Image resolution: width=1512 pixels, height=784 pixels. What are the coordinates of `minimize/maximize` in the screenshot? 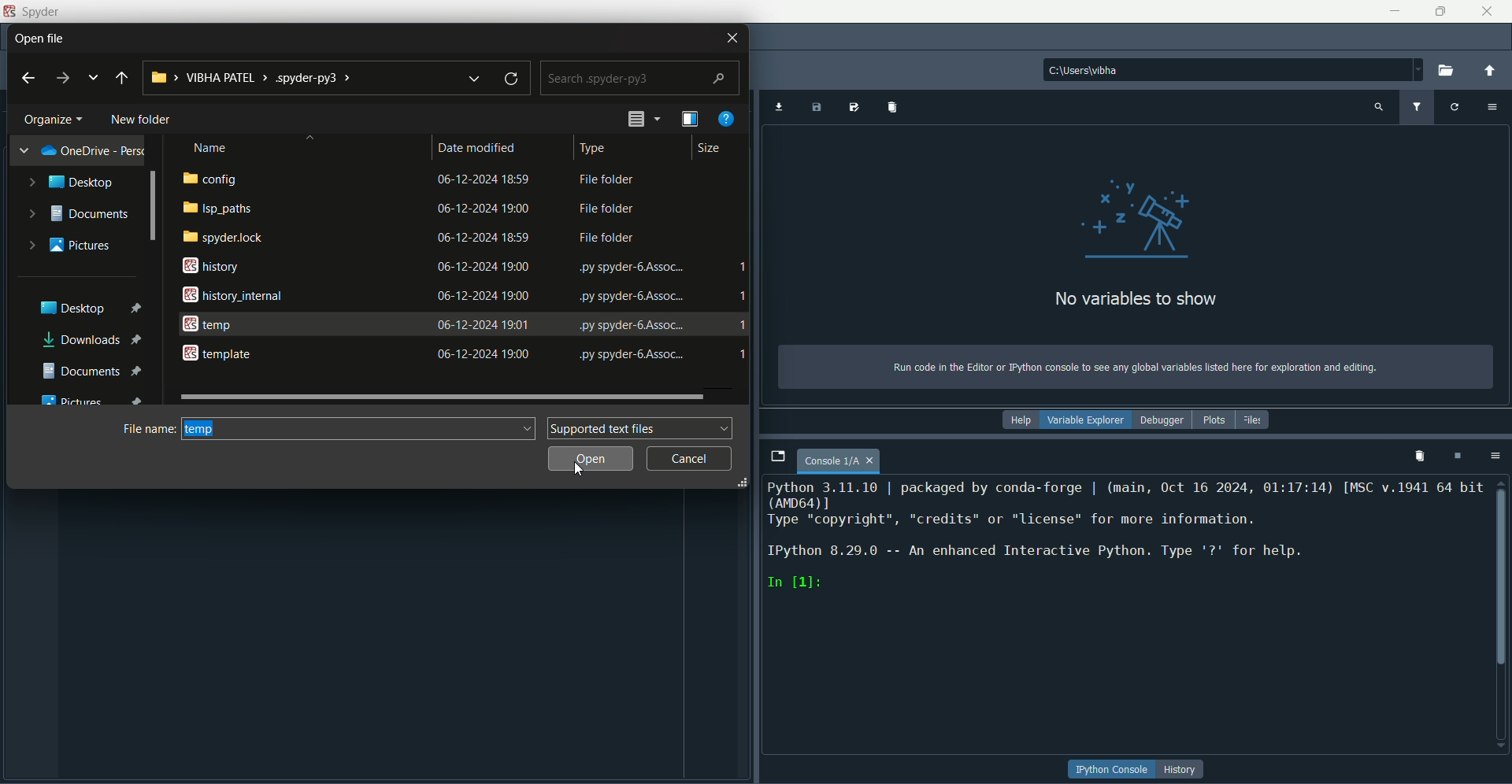 It's located at (1438, 11).